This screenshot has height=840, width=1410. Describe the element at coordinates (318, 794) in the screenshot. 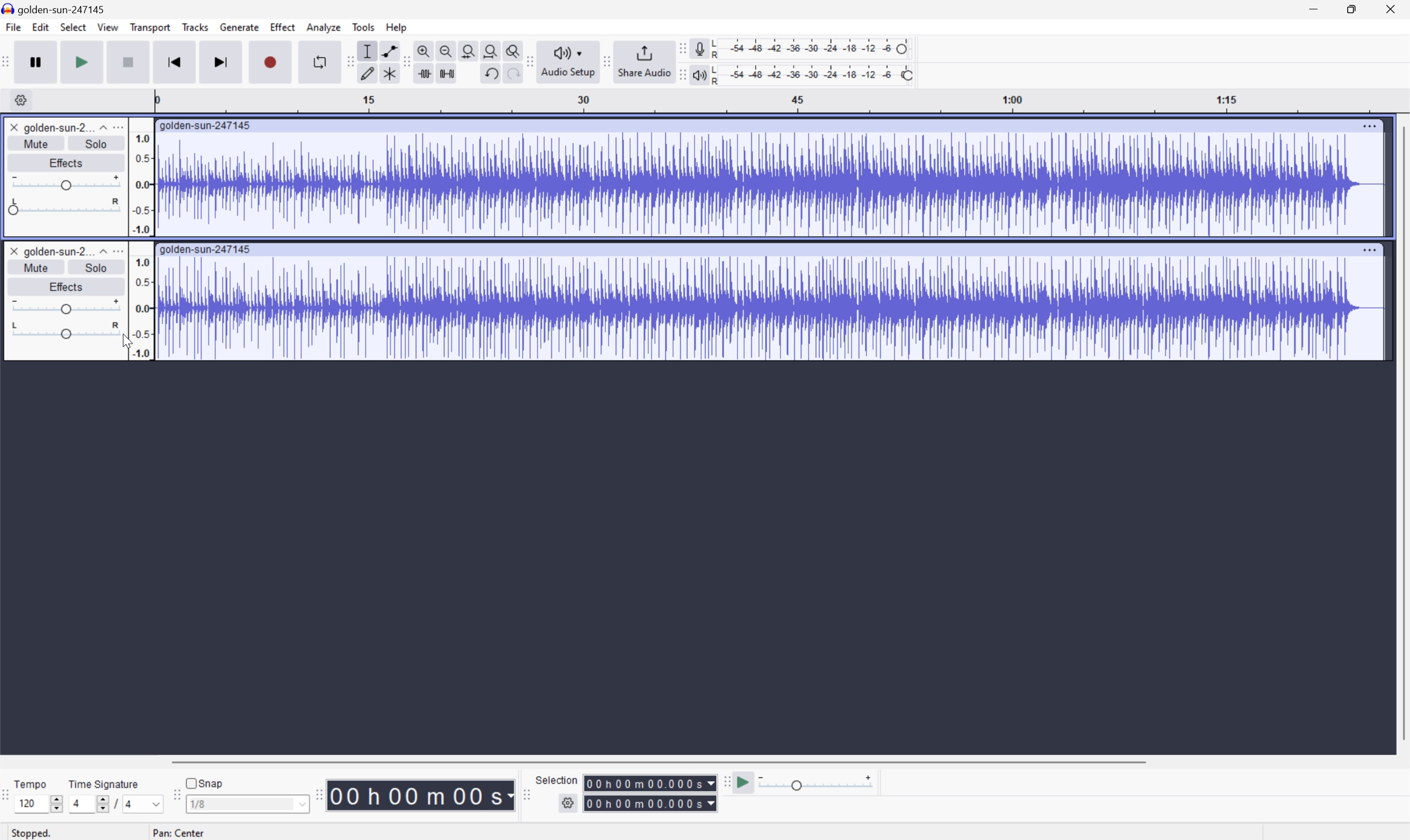

I see `` at that location.